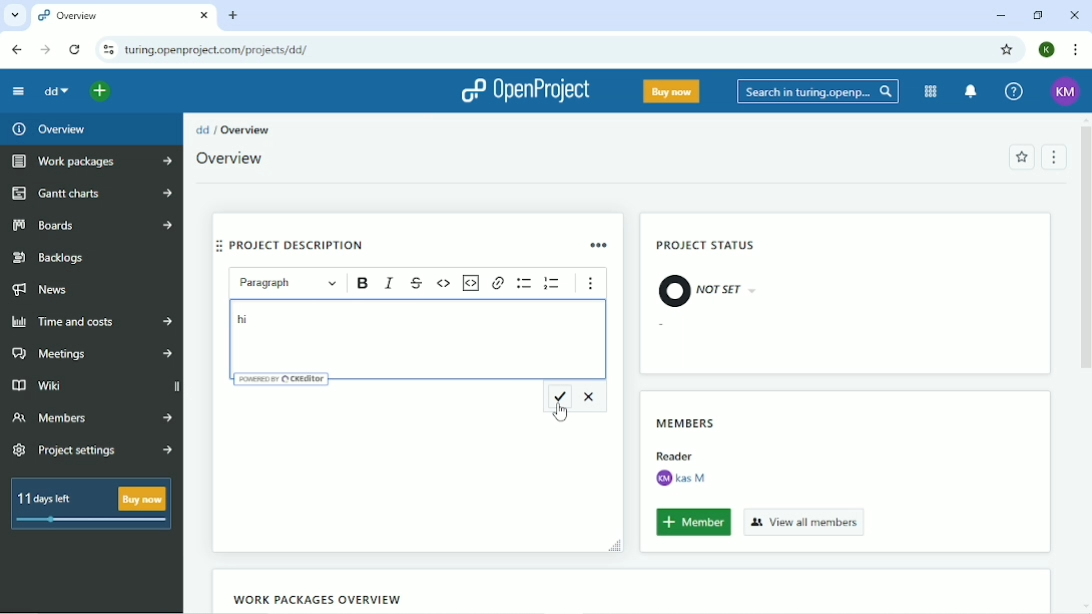 Image resolution: width=1092 pixels, height=614 pixels. I want to click on View site information, so click(108, 50).